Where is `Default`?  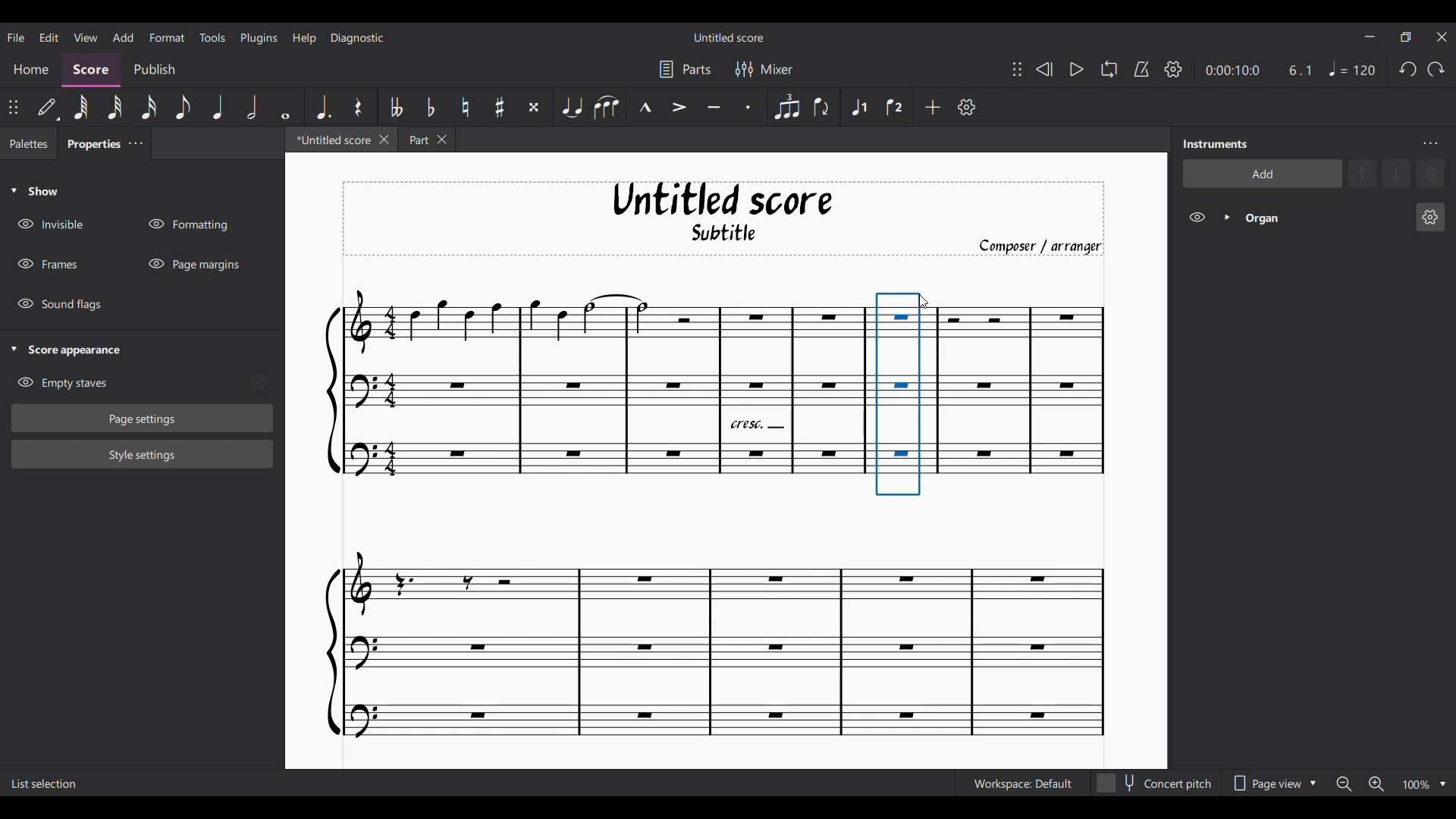 Default is located at coordinates (48, 107).